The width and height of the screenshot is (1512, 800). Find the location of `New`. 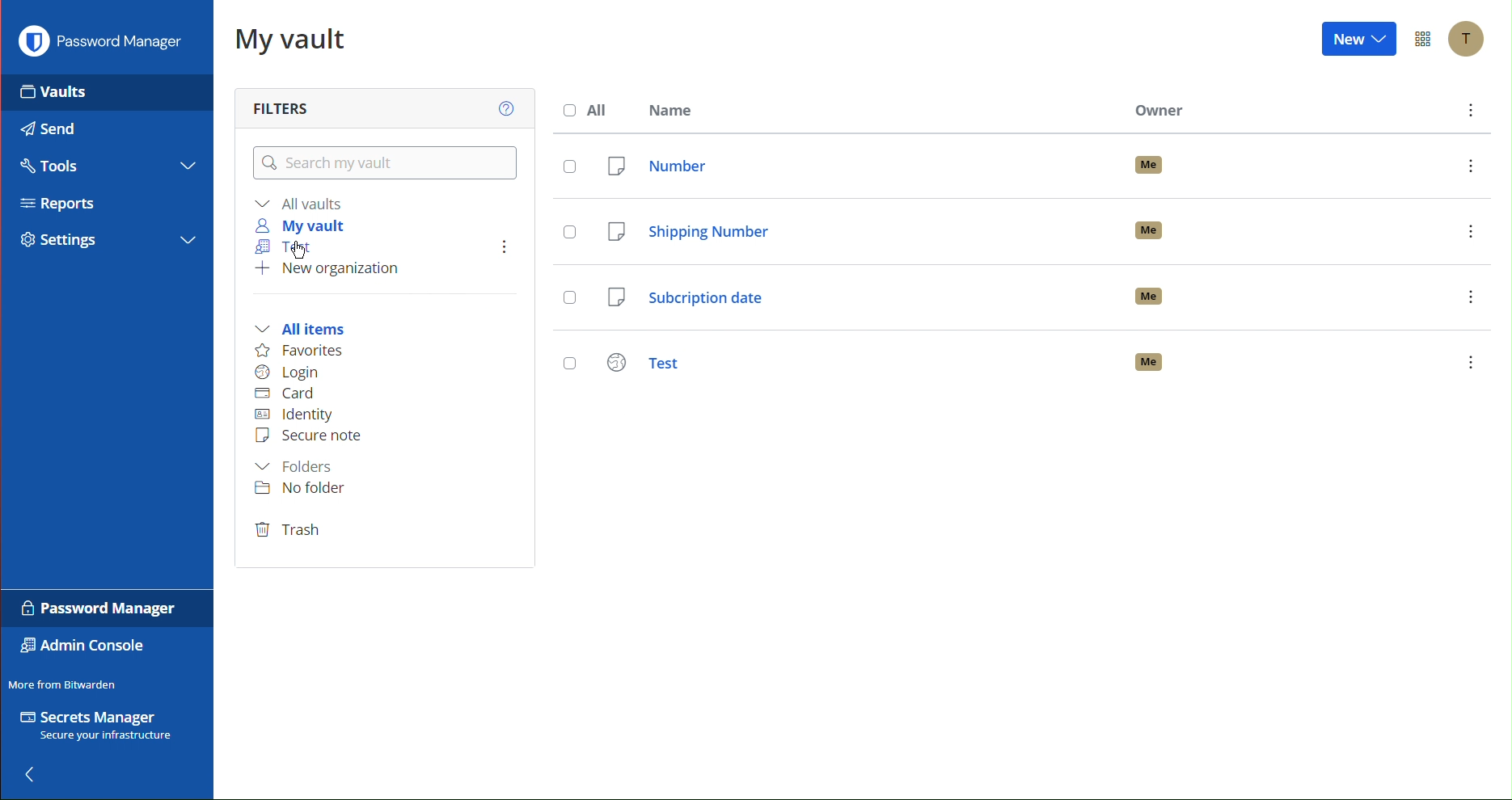

New is located at coordinates (1359, 41).